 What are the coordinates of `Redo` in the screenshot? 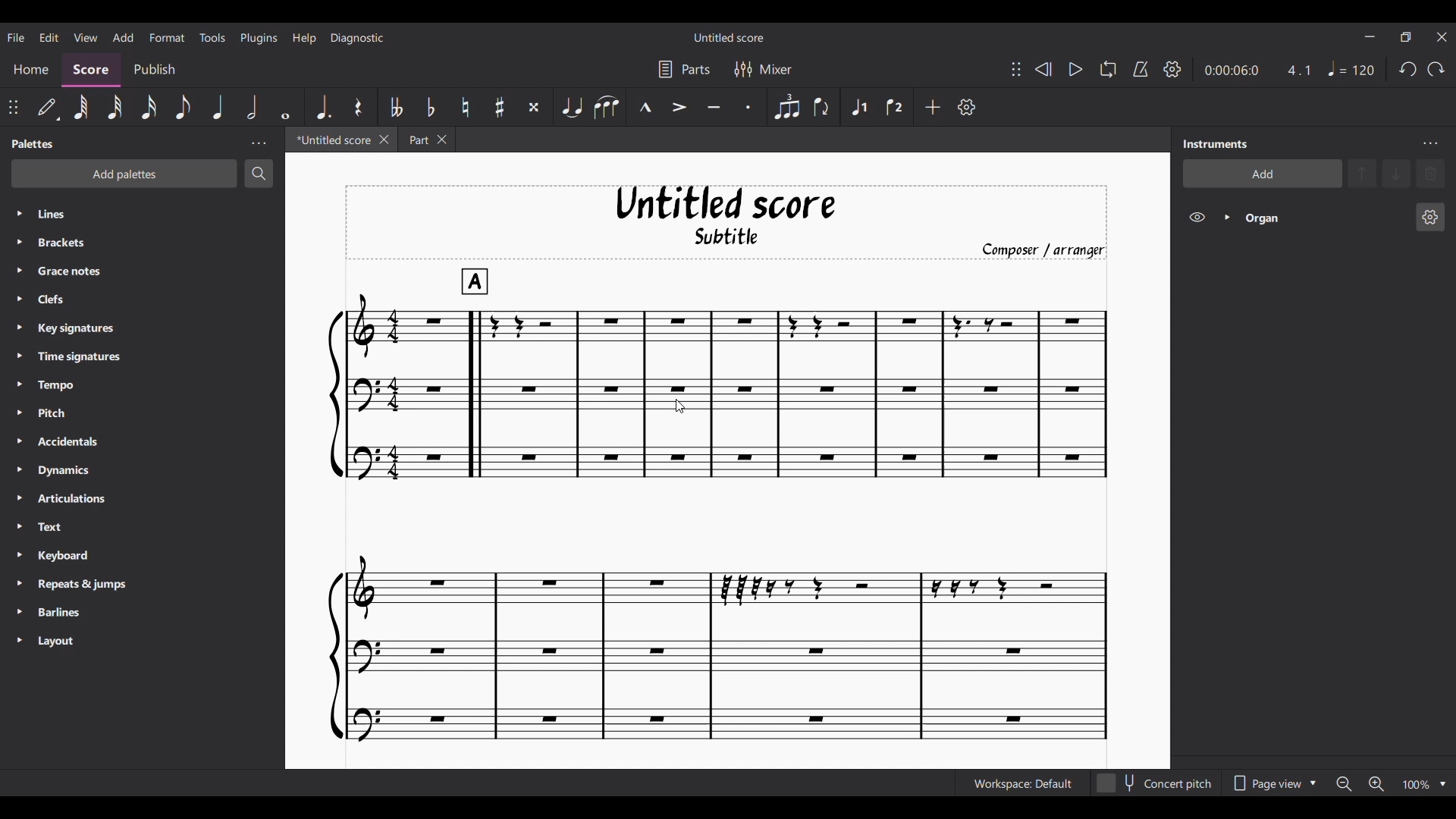 It's located at (1436, 68).